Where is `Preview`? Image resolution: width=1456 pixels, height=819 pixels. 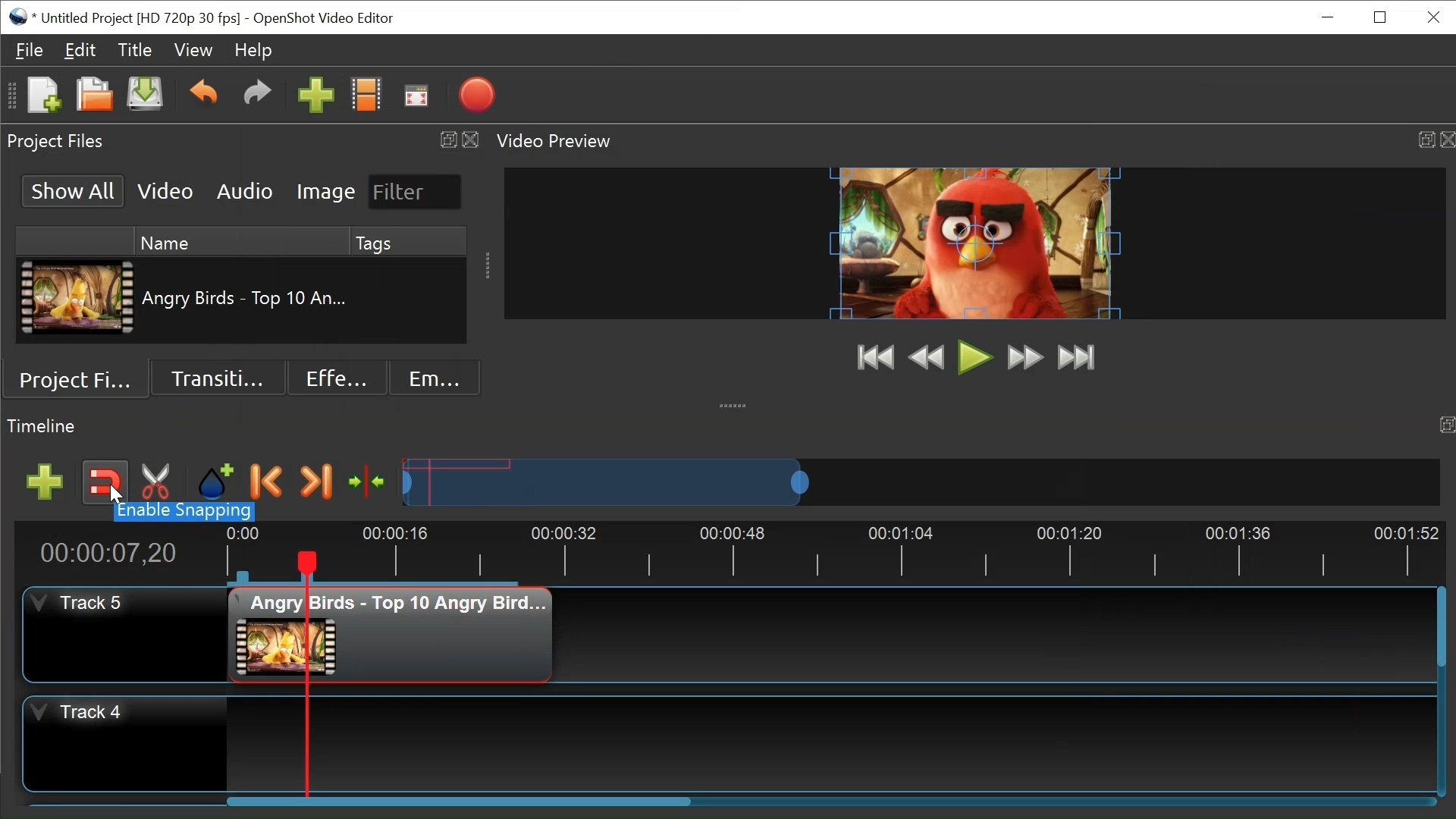 Preview is located at coordinates (926, 356).